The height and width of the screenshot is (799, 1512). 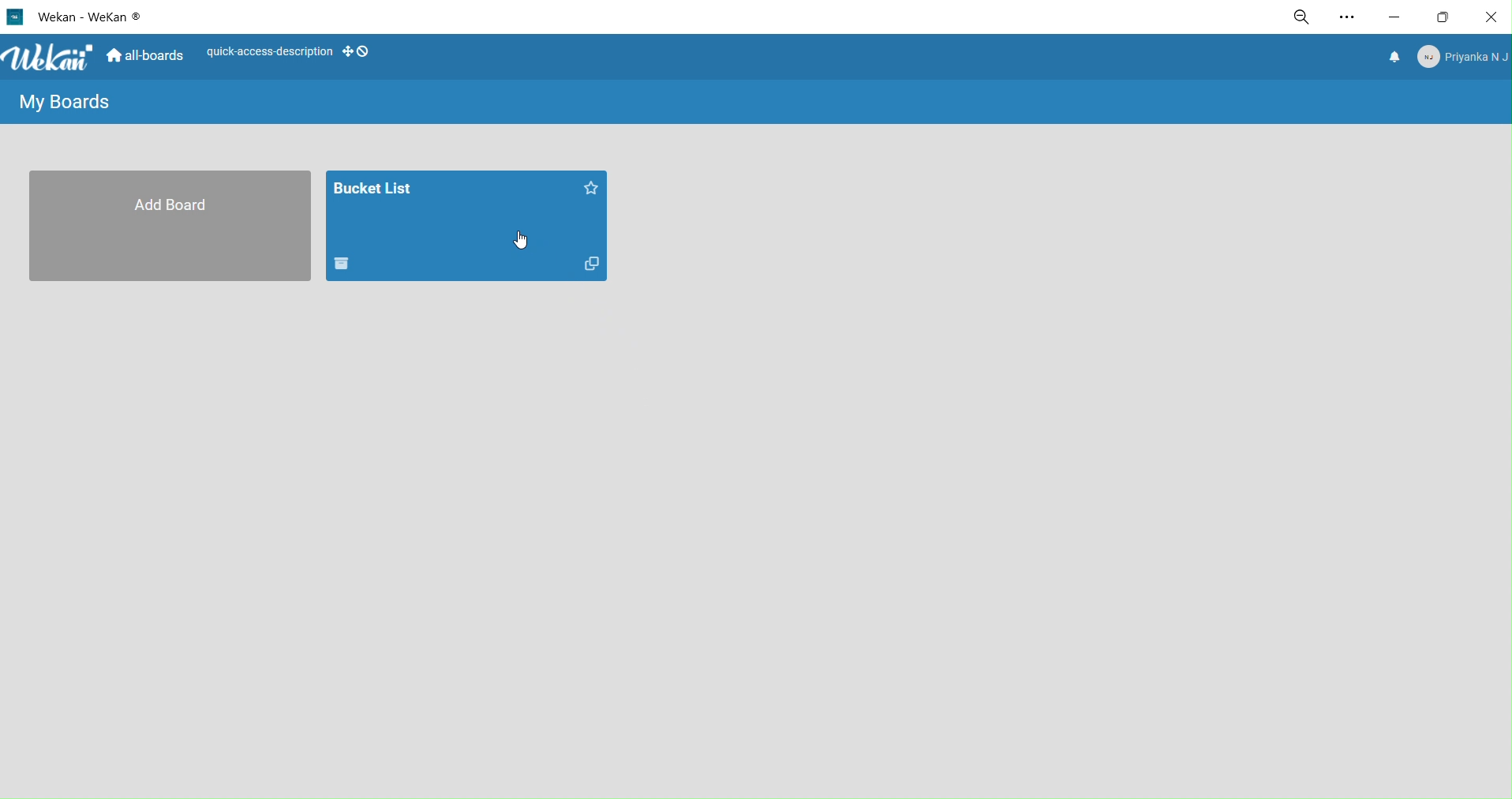 I want to click on home, so click(x=154, y=54).